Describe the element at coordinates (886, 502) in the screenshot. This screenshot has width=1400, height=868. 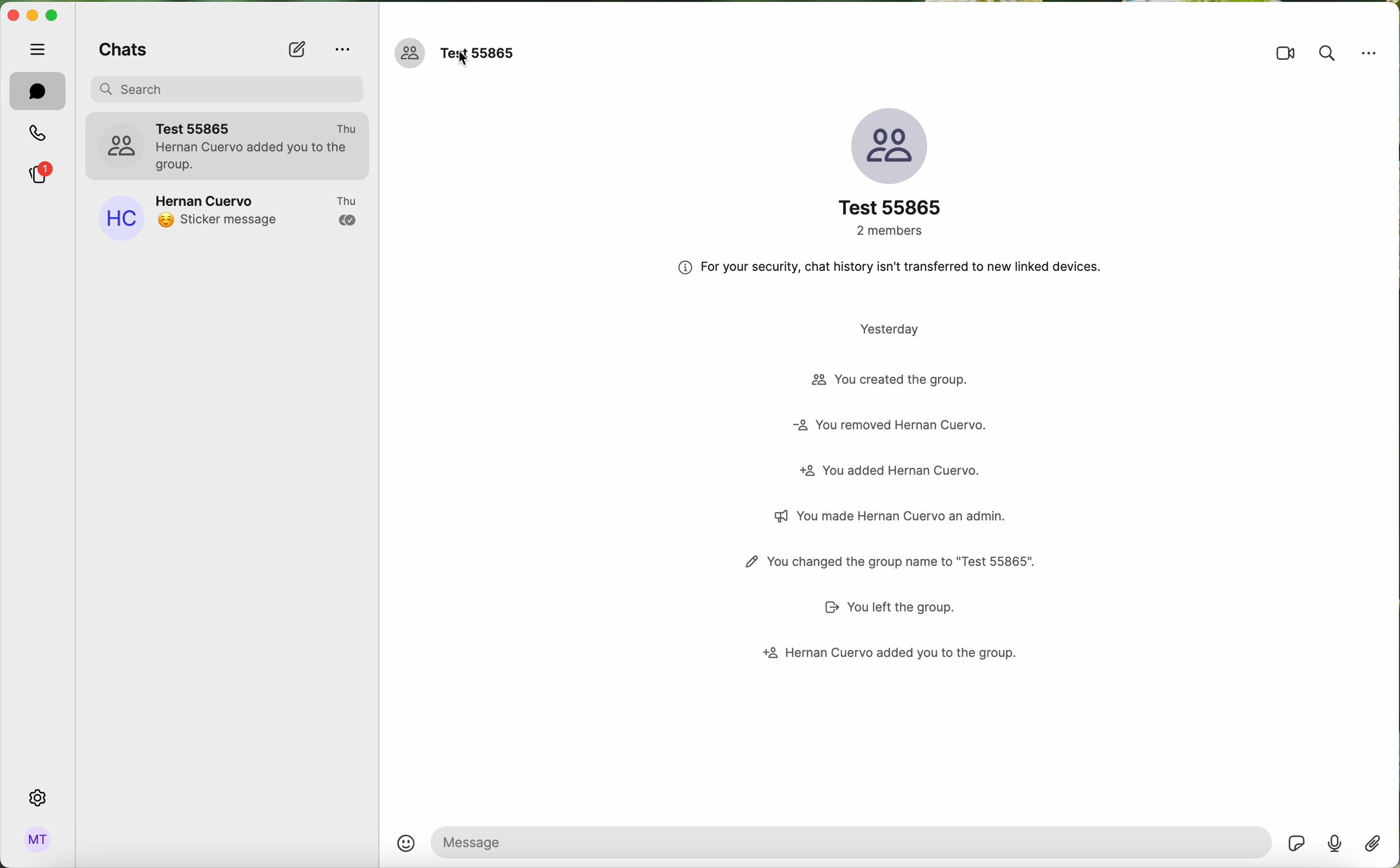
I see `activity group` at that location.